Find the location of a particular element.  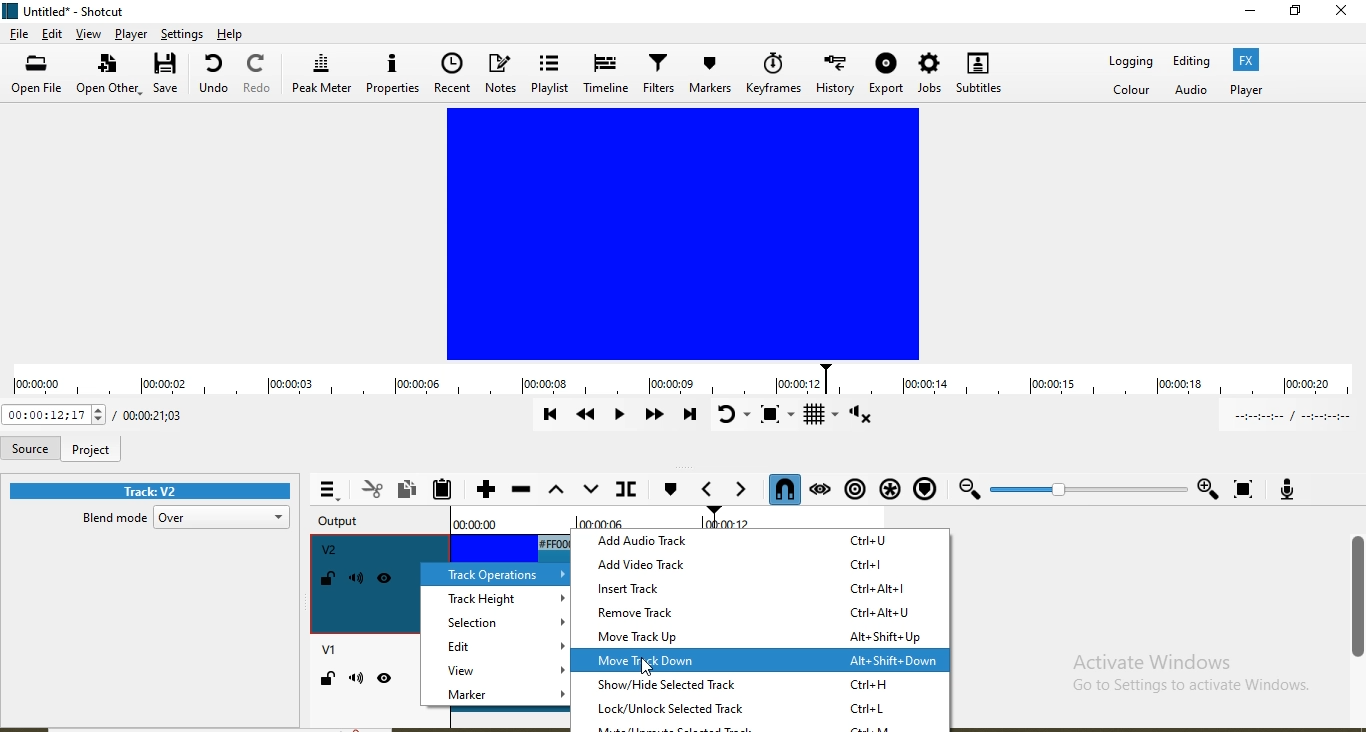

undo is located at coordinates (214, 77).